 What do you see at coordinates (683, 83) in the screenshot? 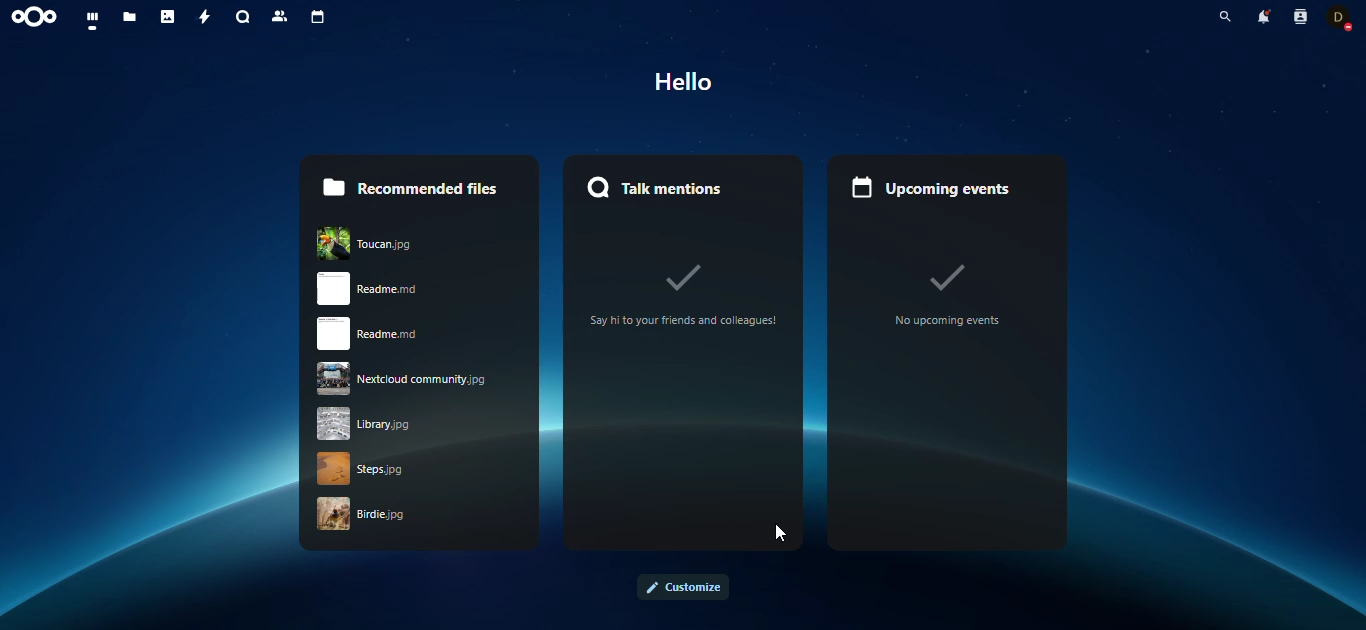
I see `hello` at bounding box center [683, 83].